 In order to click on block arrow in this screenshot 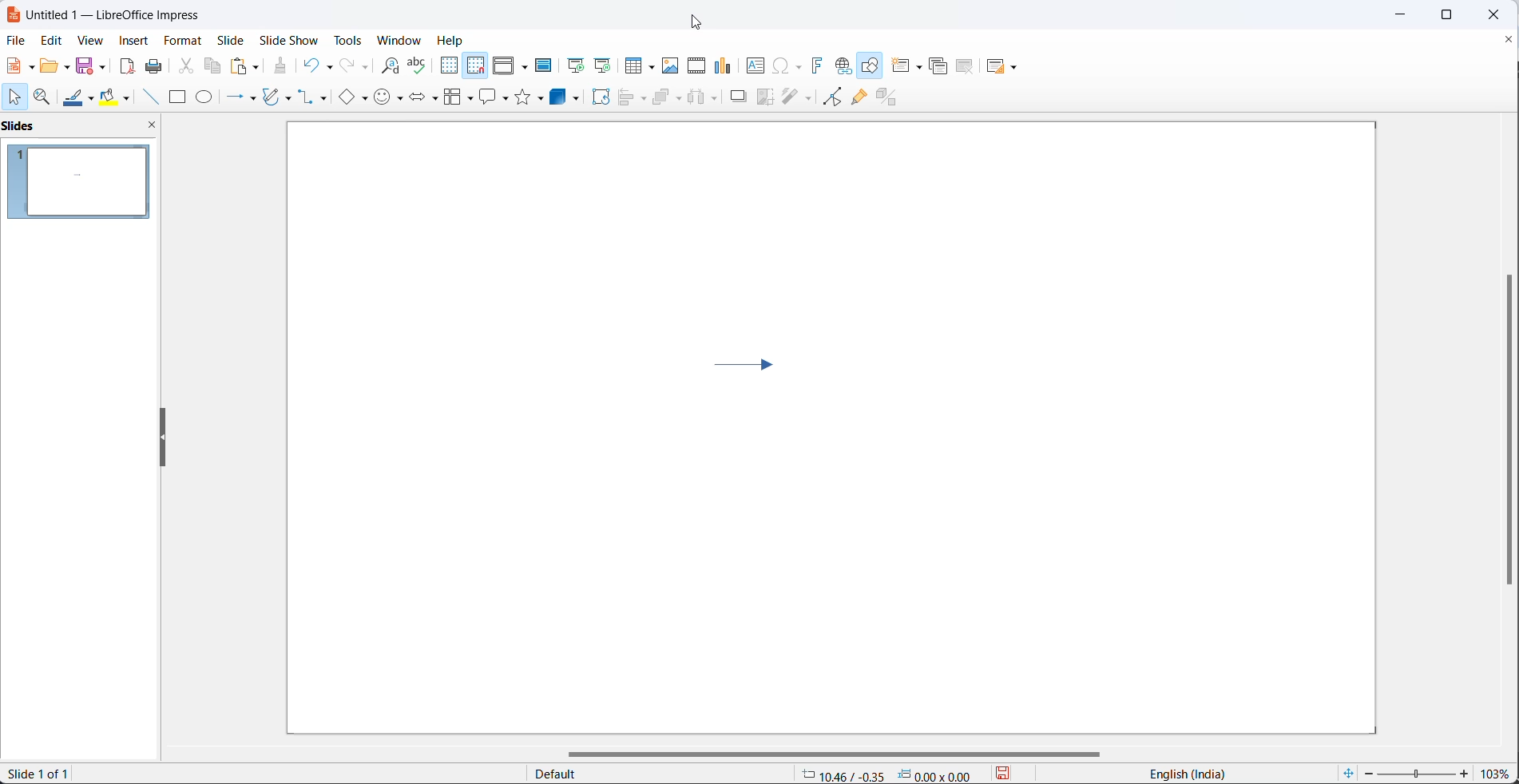, I will do `click(420, 99)`.